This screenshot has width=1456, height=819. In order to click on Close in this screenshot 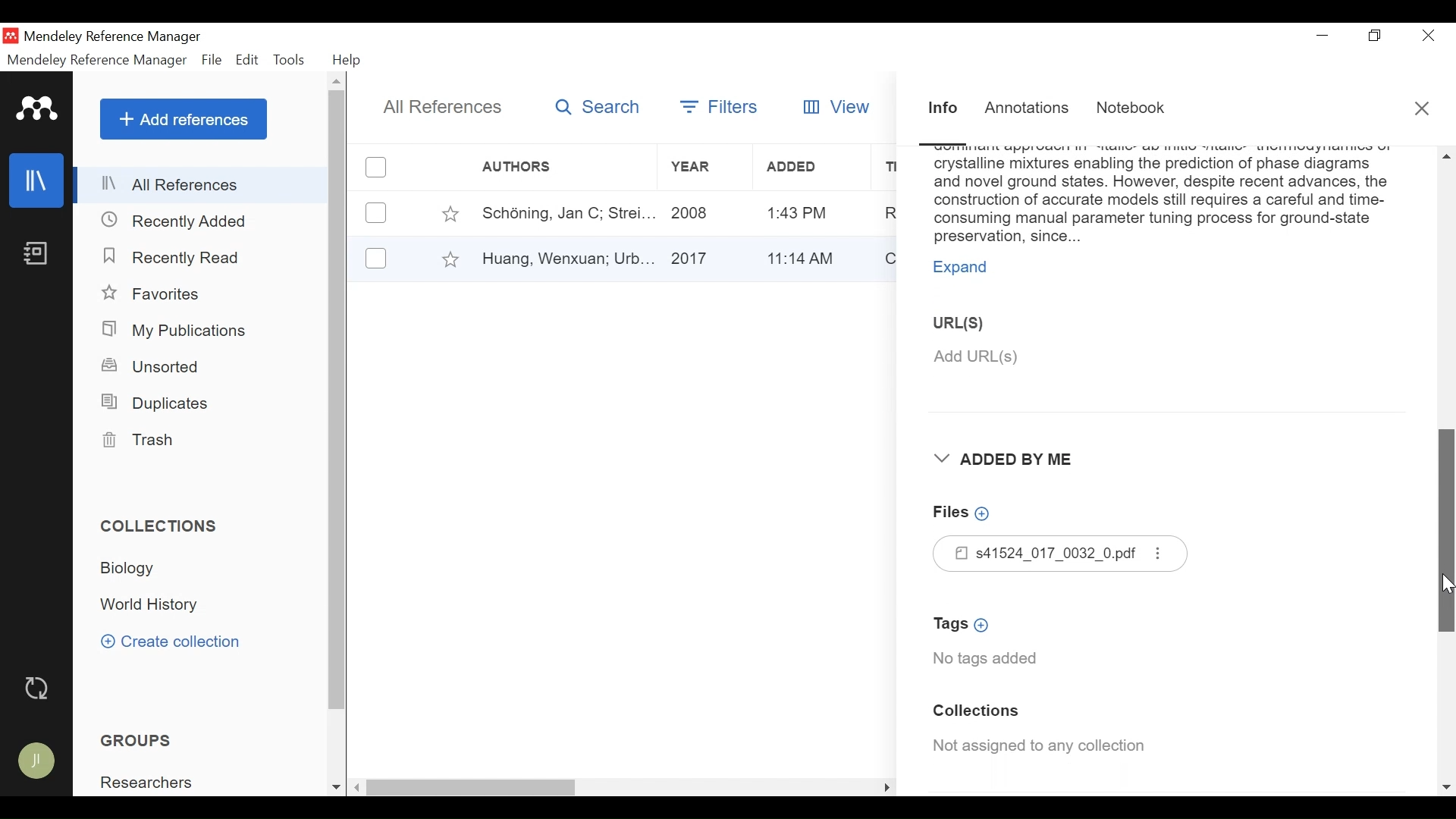, I will do `click(1423, 109)`.